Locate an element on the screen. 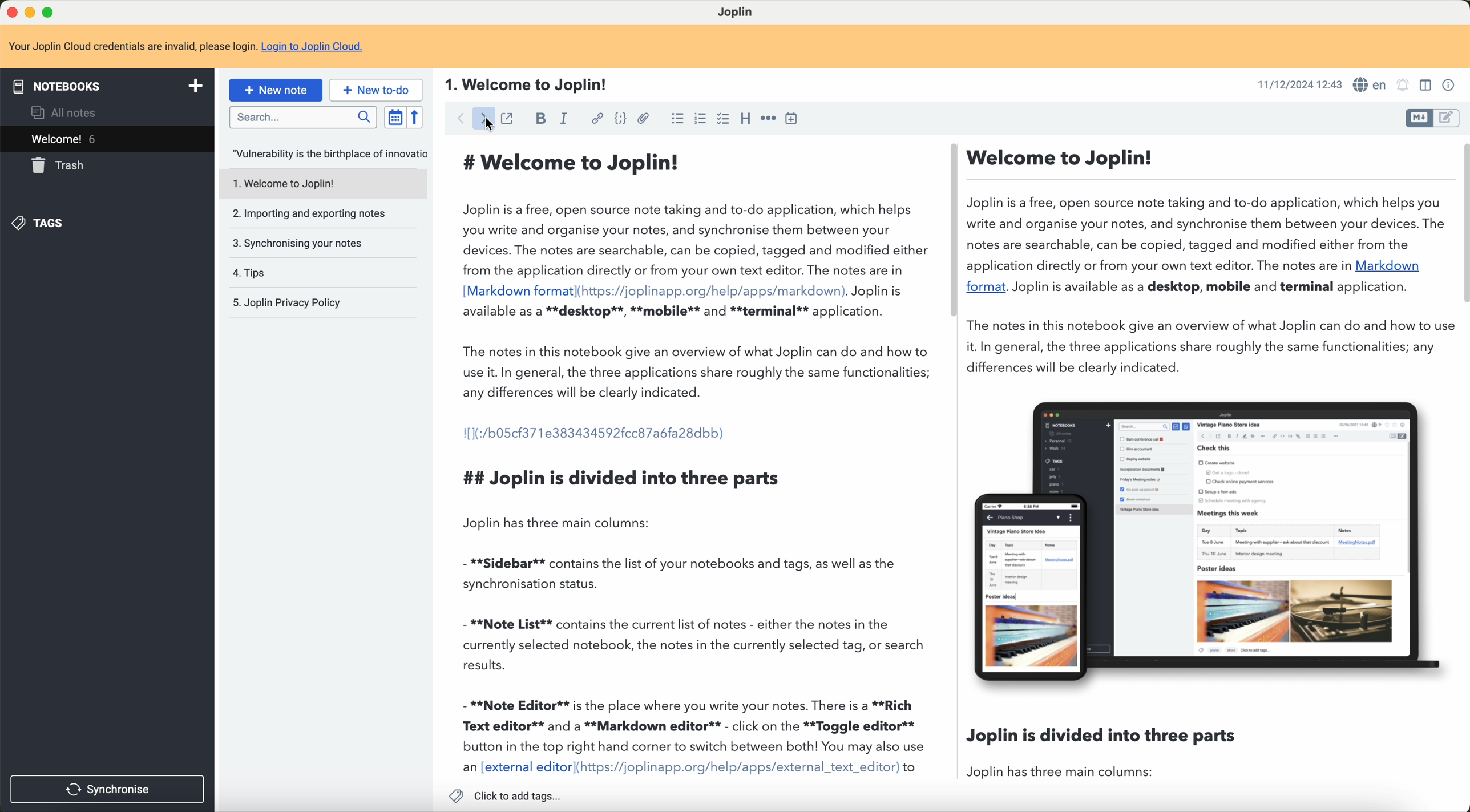  # Welcome to Joplin! is located at coordinates (576, 161).